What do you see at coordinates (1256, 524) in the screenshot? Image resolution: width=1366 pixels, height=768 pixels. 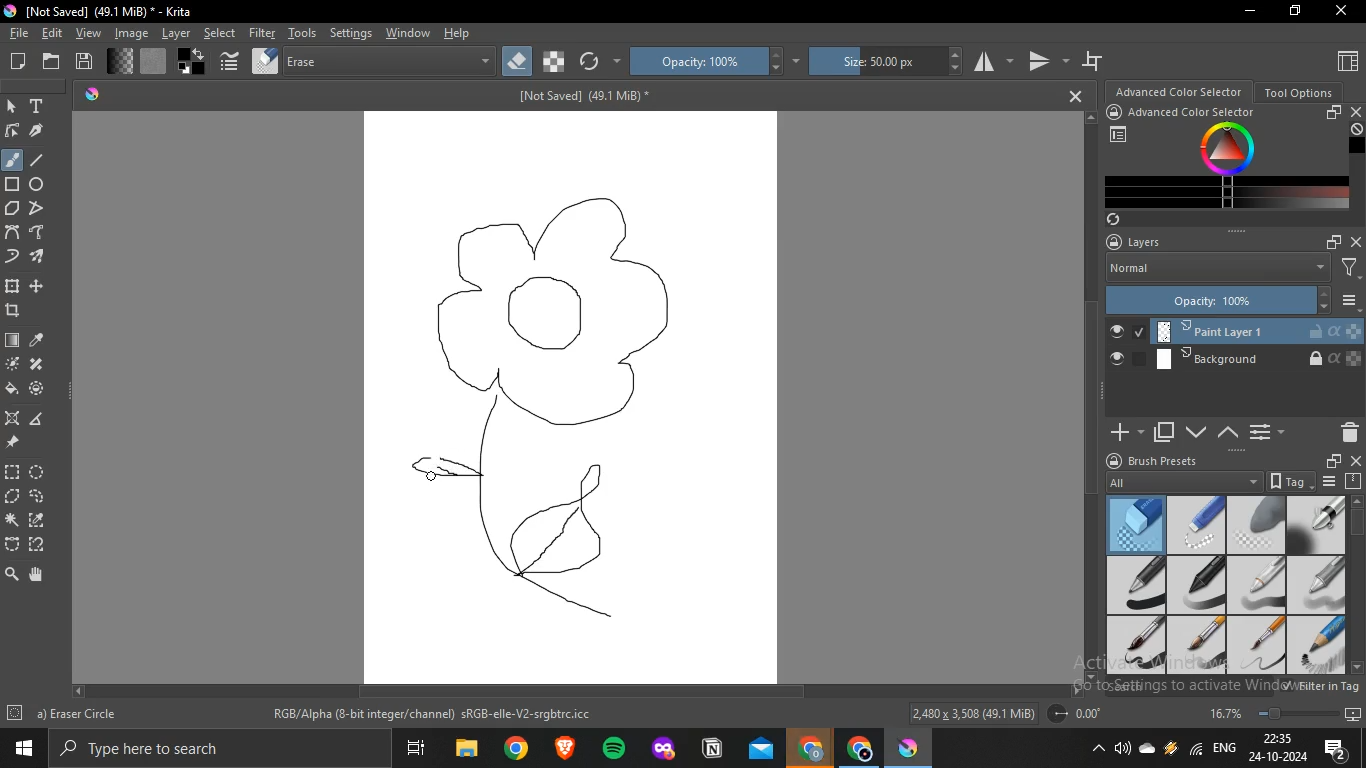 I see `eraser soft` at bounding box center [1256, 524].